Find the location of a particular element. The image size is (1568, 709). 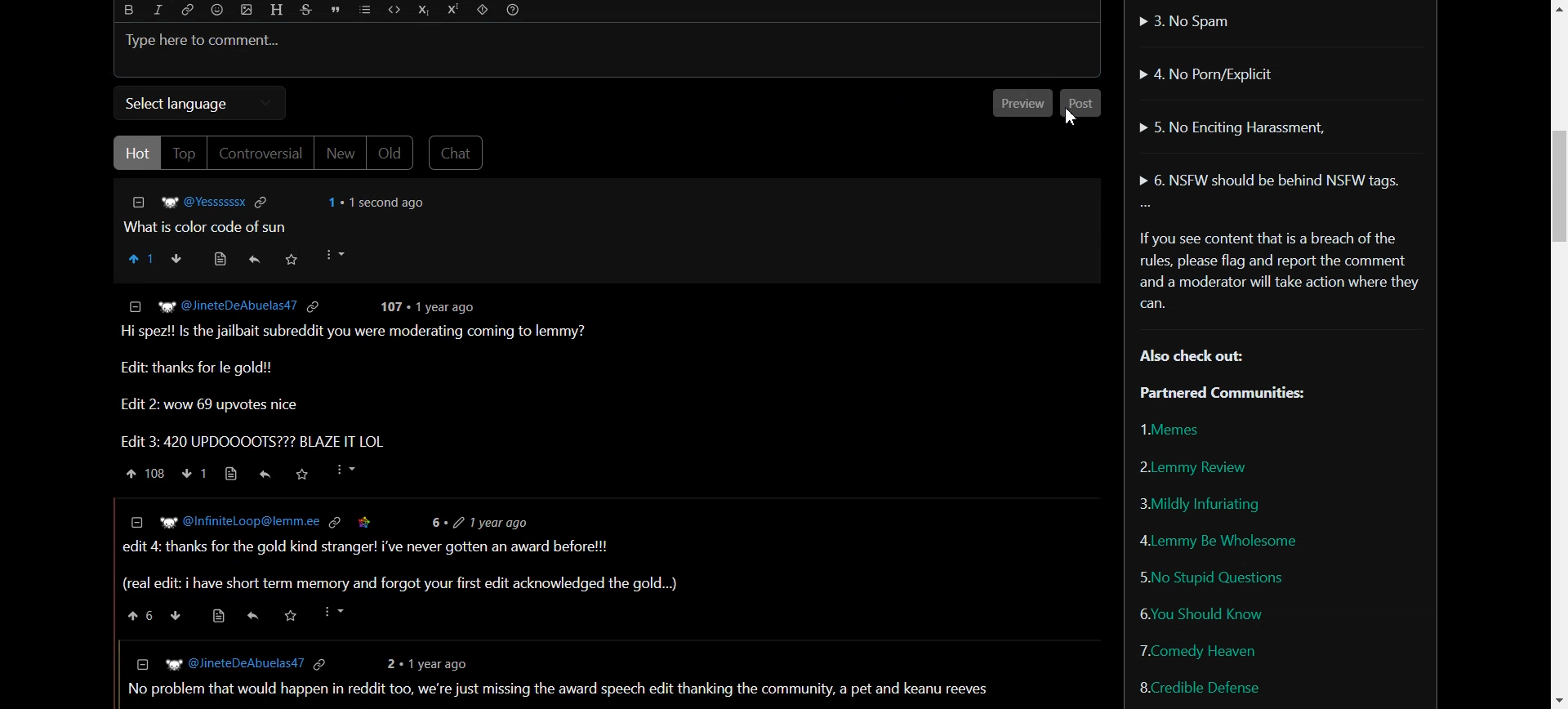

Bold is located at coordinates (129, 11).